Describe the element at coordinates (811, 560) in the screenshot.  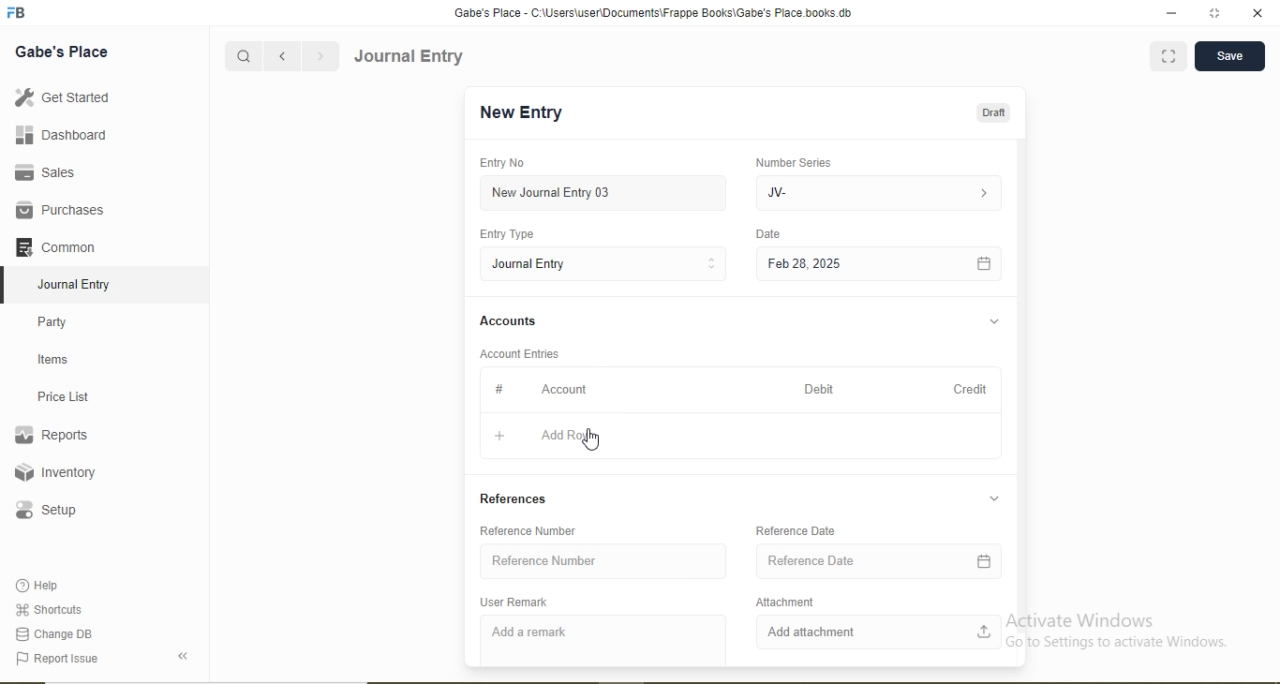
I see `Reference Date` at that location.